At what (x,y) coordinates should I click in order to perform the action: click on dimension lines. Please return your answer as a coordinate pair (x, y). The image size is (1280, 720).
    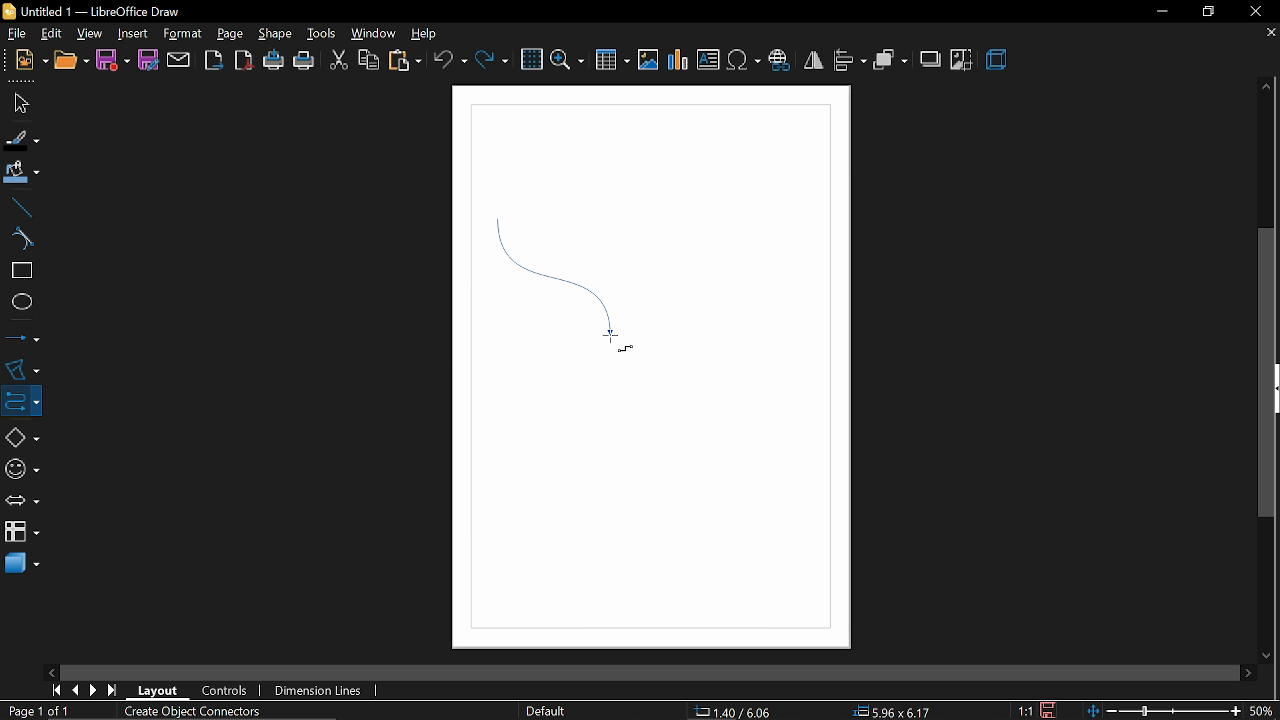
    Looking at the image, I should click on (321, 691).